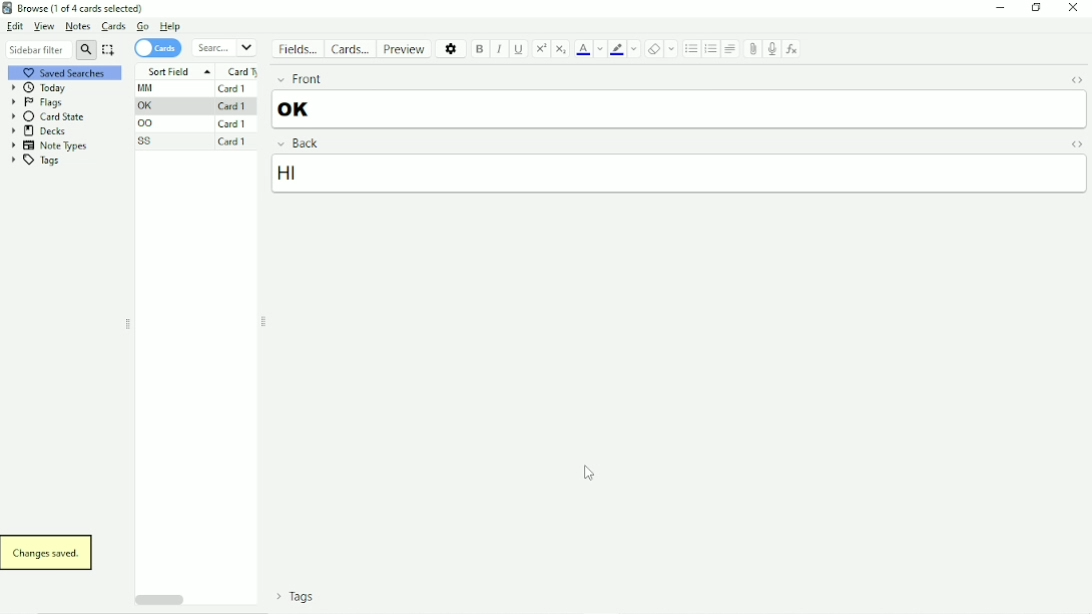  What do you see at coordinates (175, 70) in the screenshot?
I see `Sort Field` at bounding box center [175, 70].